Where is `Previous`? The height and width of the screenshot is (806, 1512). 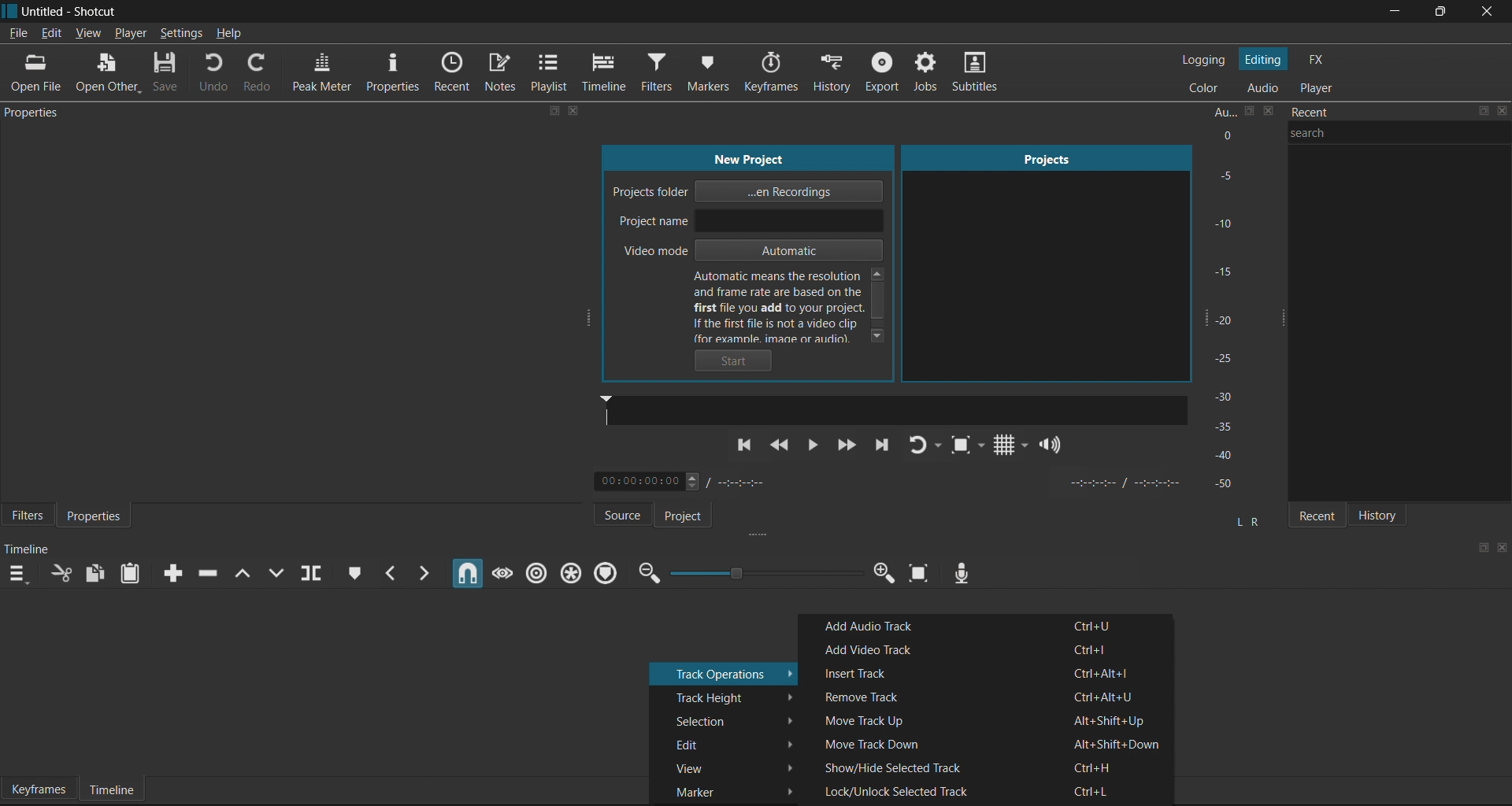 Previous is located at coordinates (746, 451).